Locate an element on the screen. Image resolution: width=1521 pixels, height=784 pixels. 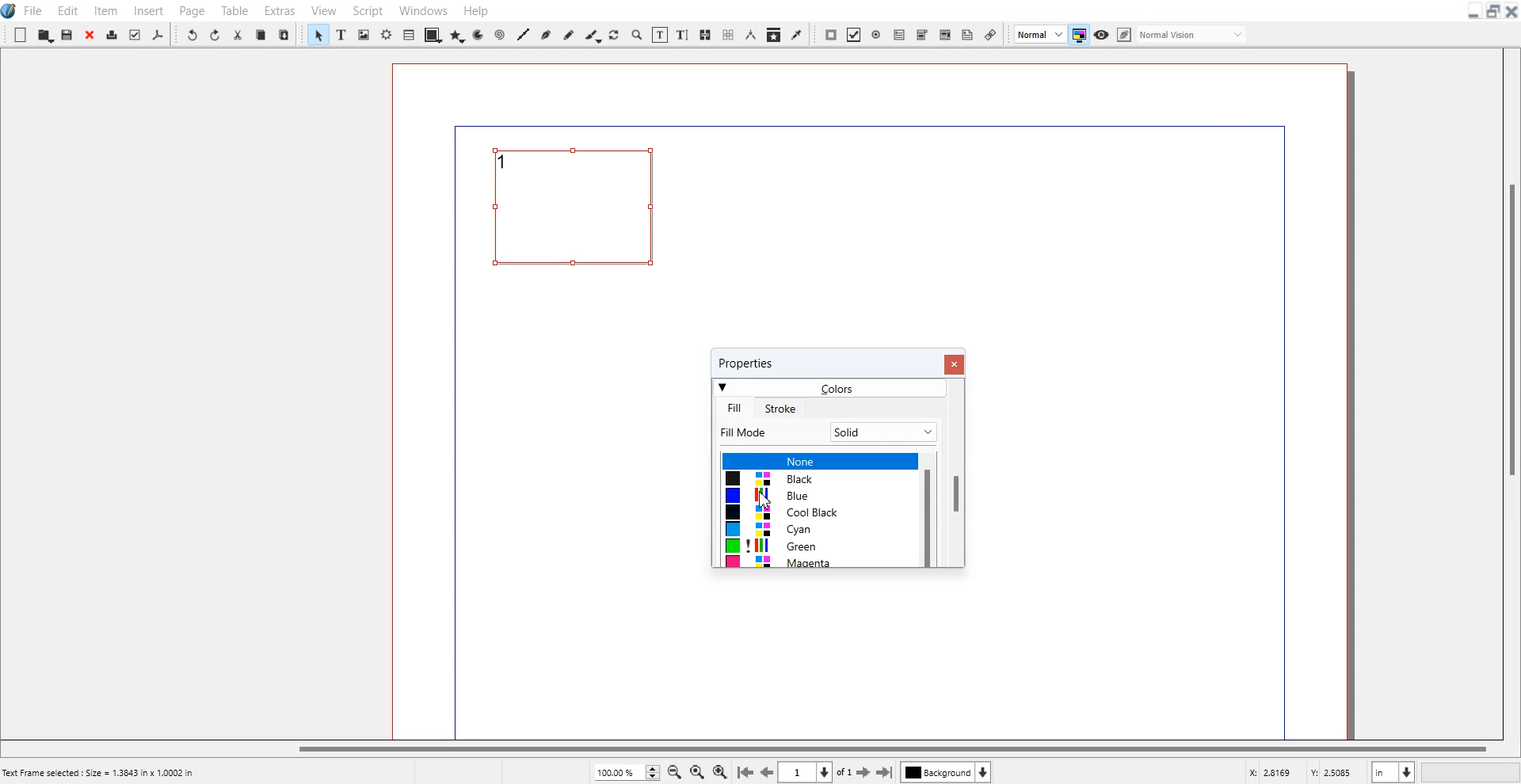
Fill is located at coordinates (733, 407).